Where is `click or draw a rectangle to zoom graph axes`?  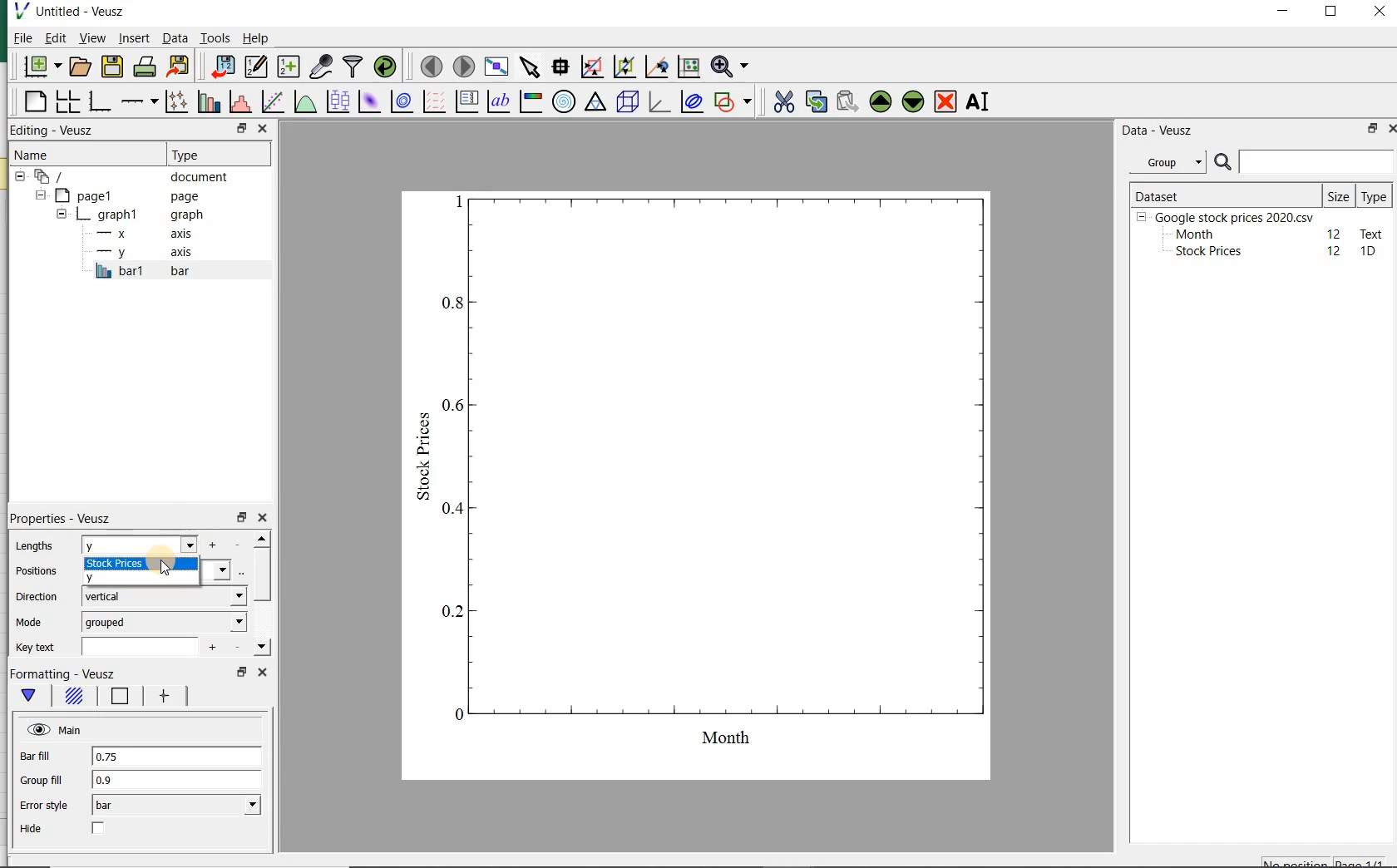 click or draw a rectangle to zoom graph axes is located at coordinates (591, 67).